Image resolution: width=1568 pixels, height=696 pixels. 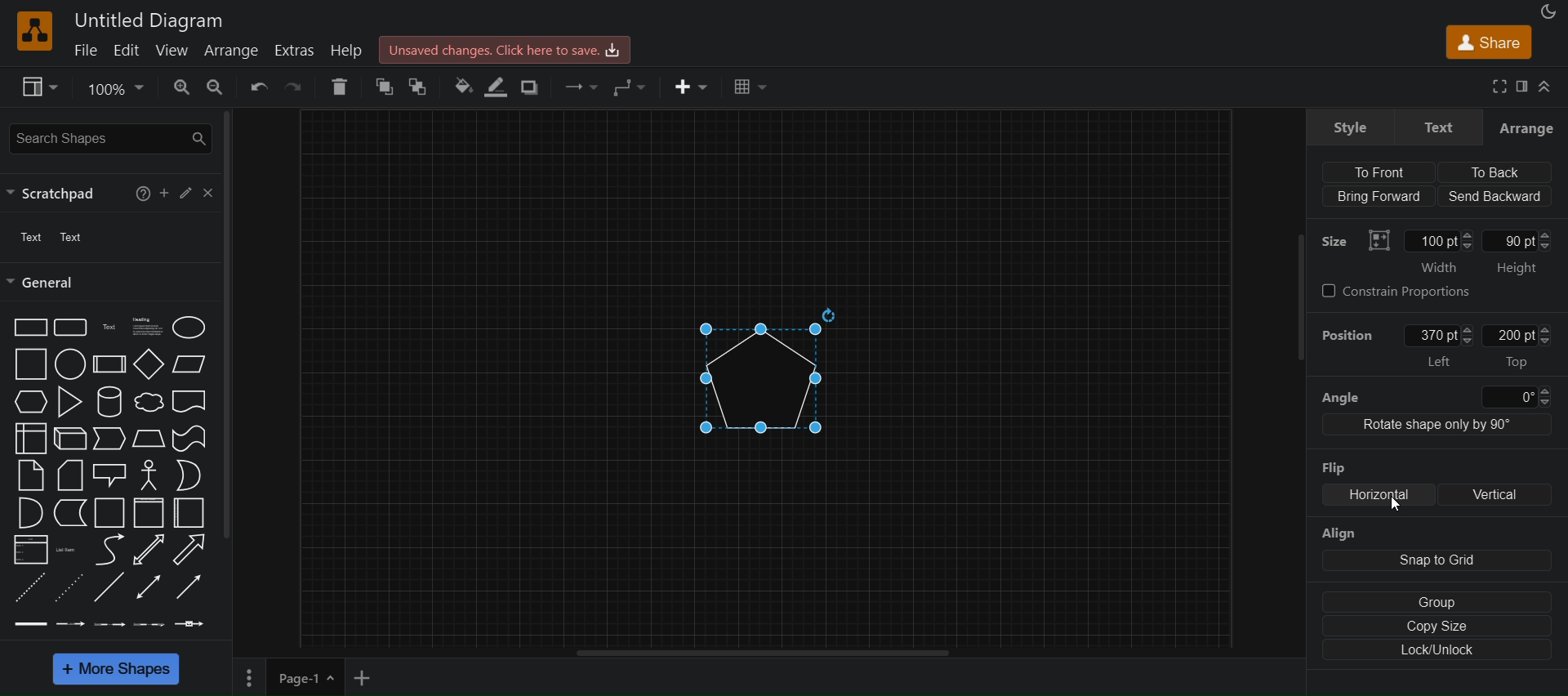 I want to click on List, so click(x=31, y=550).